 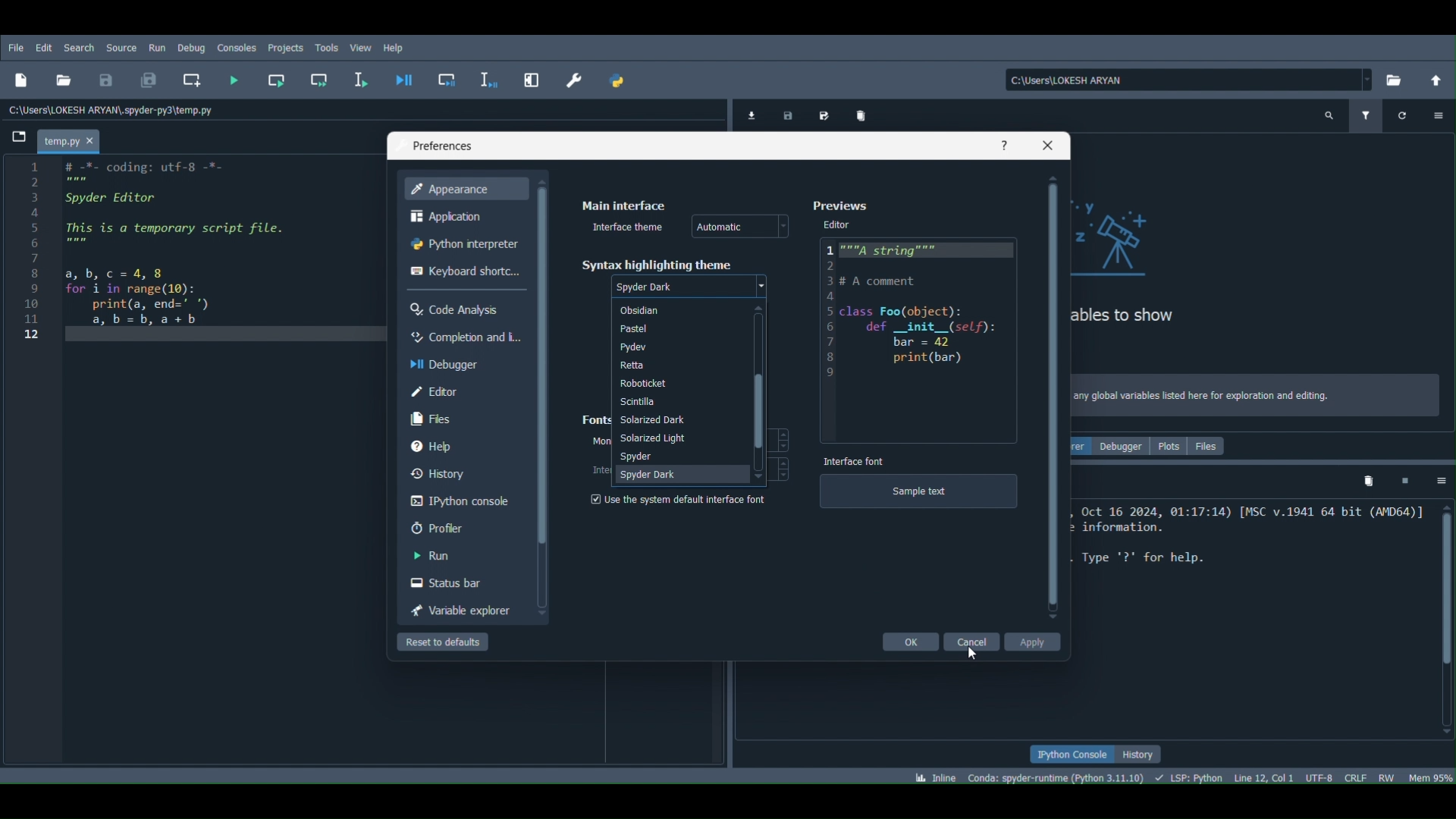 What do you see at coordinates (677, 382) in the screenshot?
I see `Roboticket` at bounding box center [677, 382].